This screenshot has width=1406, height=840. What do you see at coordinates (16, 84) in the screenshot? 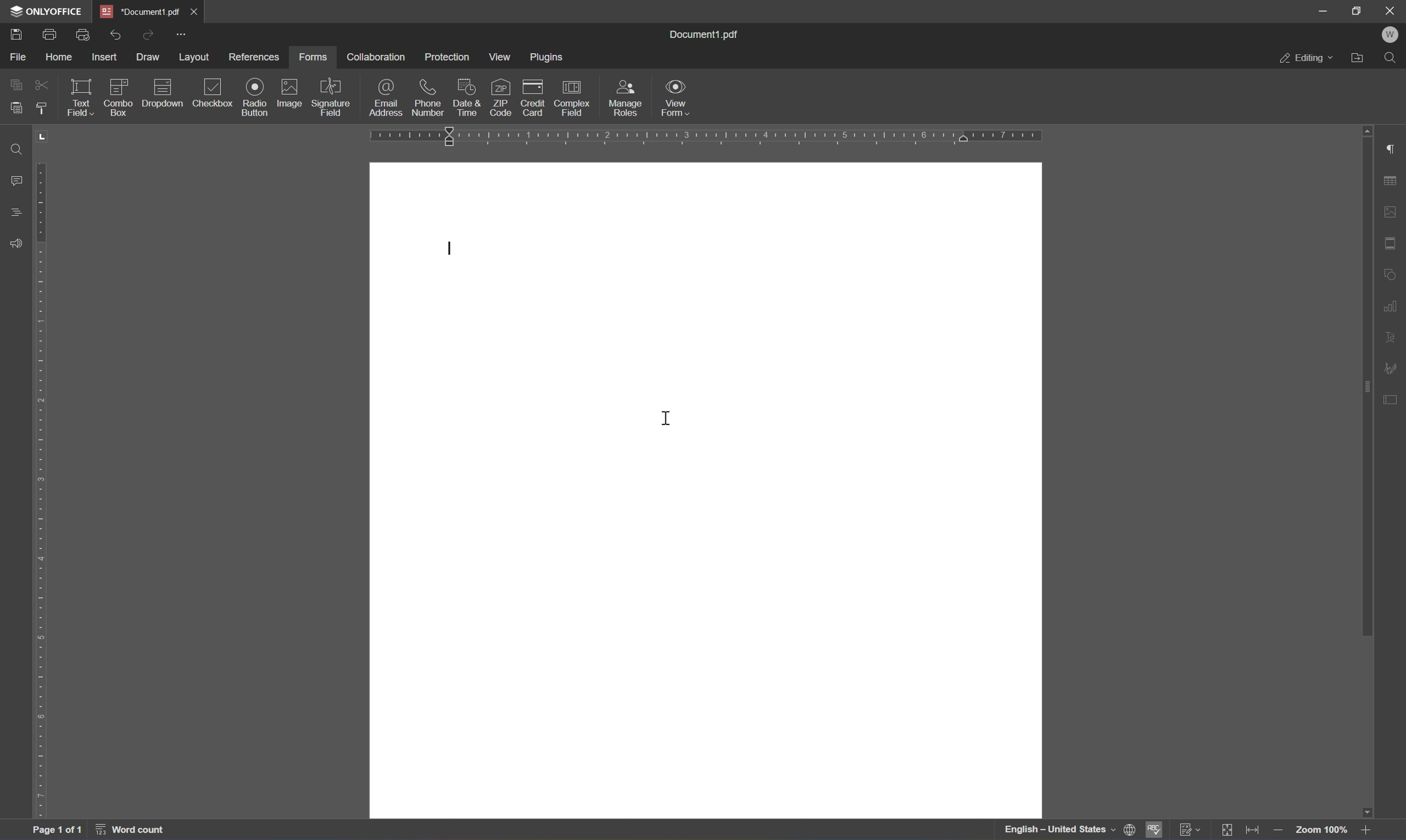
I see `copy` at bounding box center [16, 84].